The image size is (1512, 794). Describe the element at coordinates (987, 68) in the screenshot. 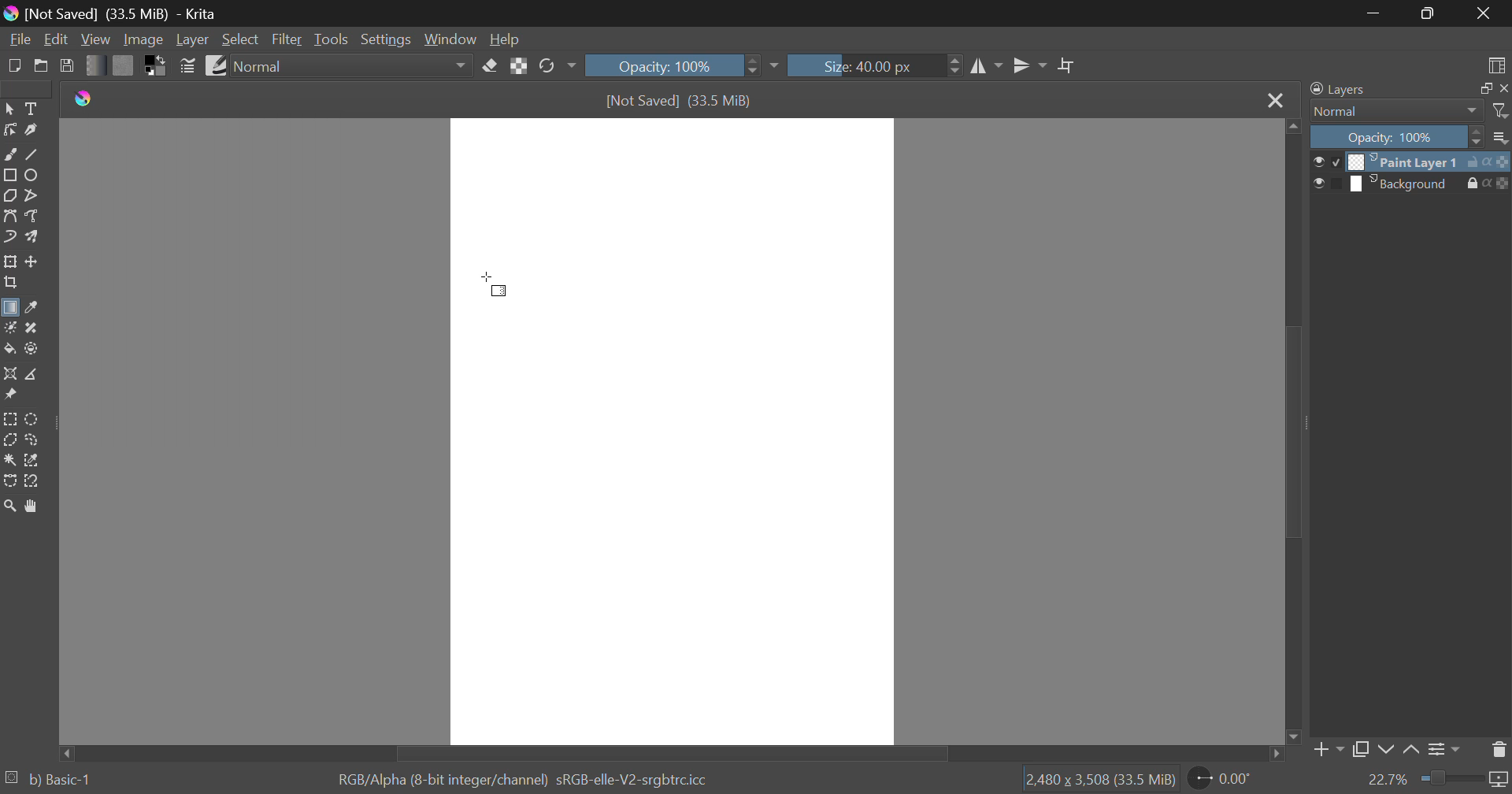

I see `Vertical Mirror Flip` at that location.